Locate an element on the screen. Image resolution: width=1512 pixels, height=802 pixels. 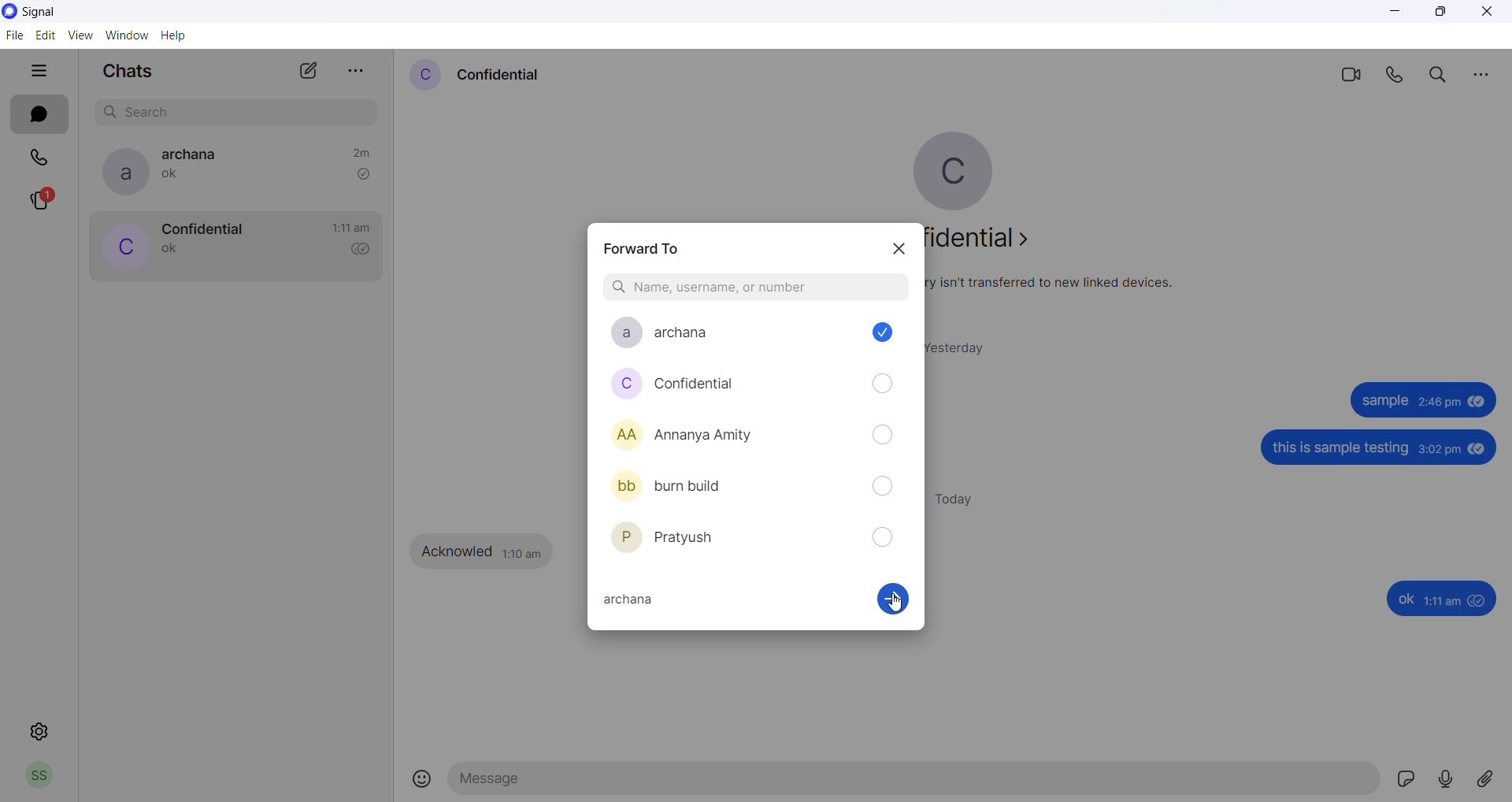
chats is located at coordinates (39, 115).